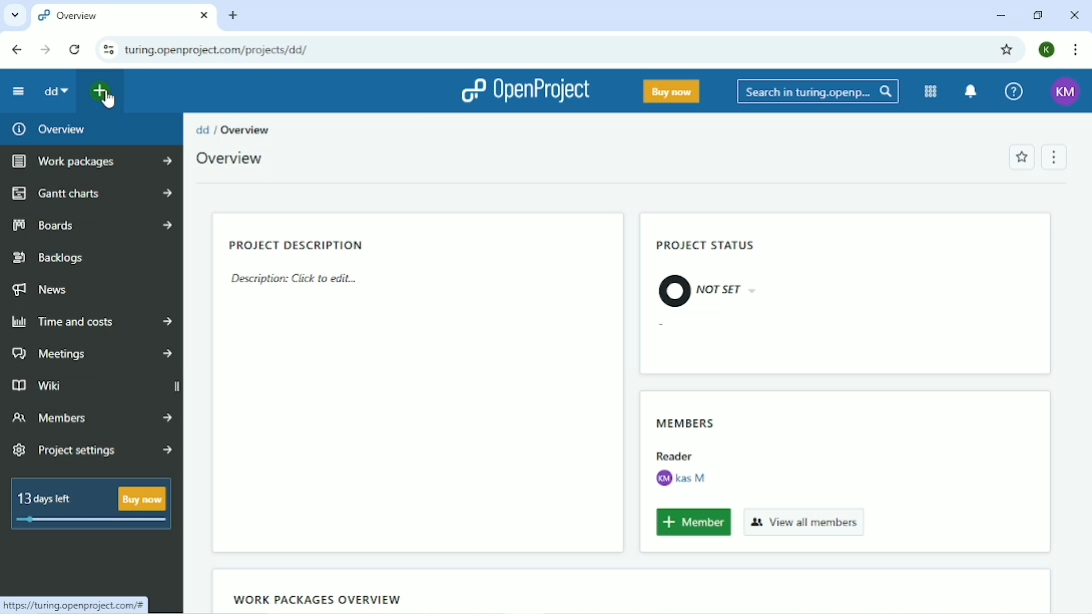  I want to click on Project status, so click(706, 245).